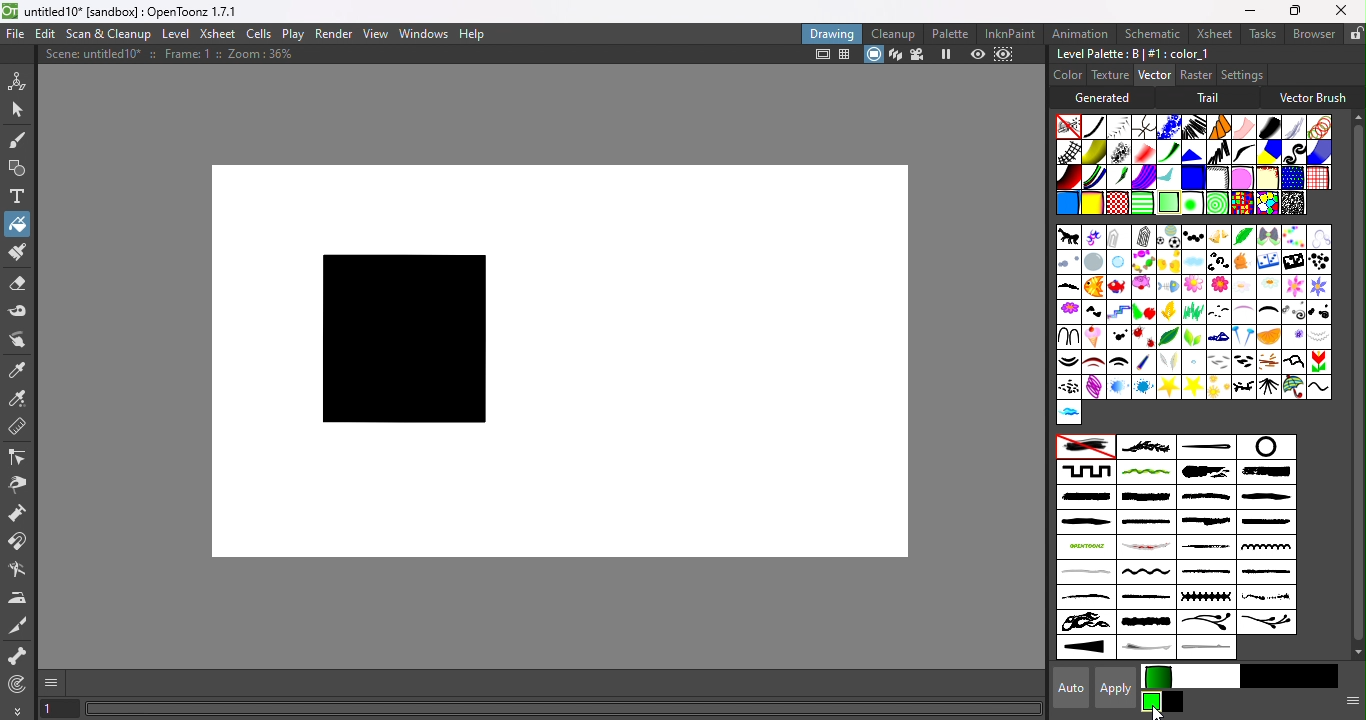  I want to click on plum, so click(1173, 362).